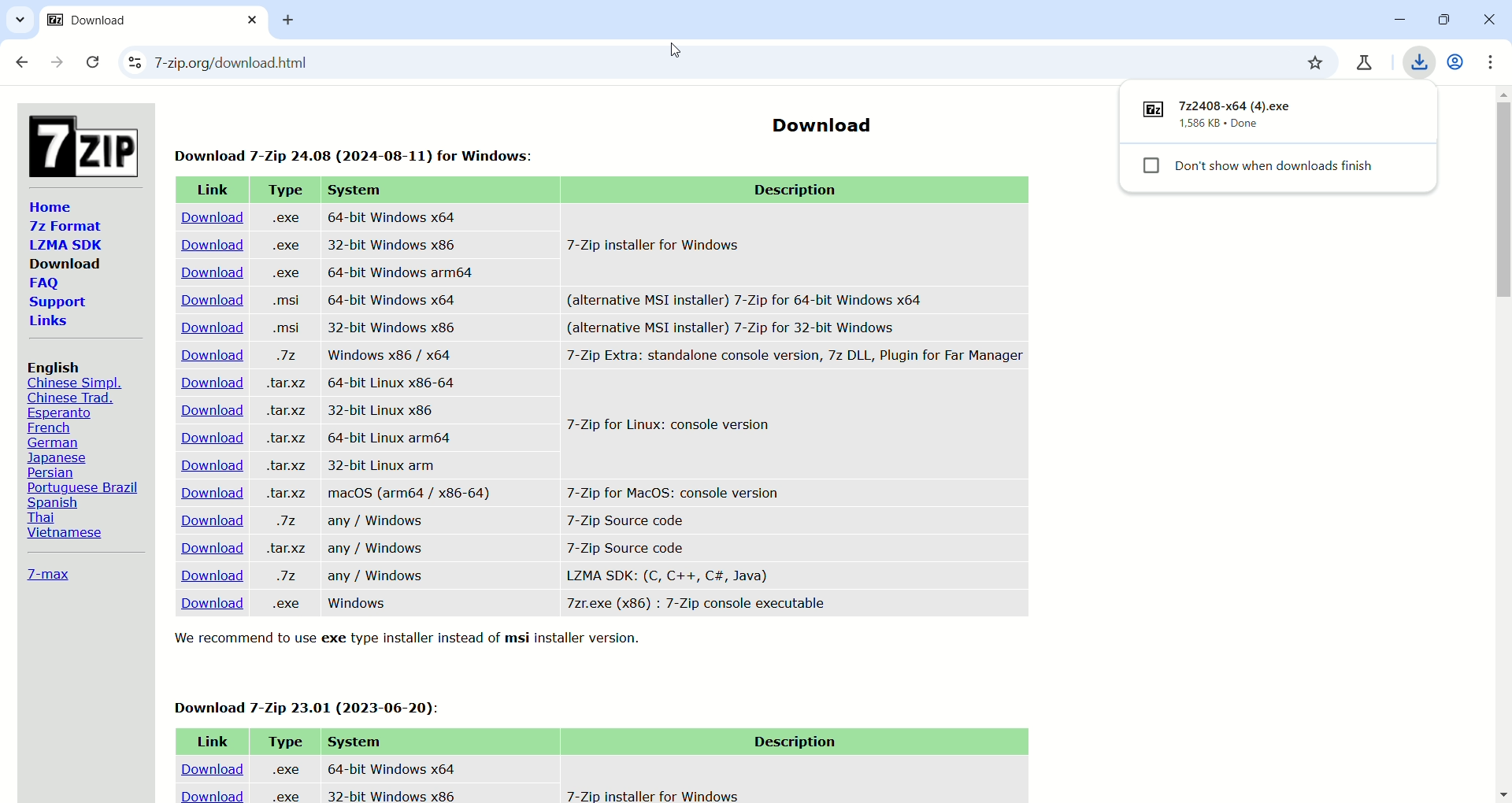 The height and width of the screenshot is (803, 1512). What do you see at coordinates (209, 764) in the screenshot?
I see `Download` at bounding box center [209, 764].